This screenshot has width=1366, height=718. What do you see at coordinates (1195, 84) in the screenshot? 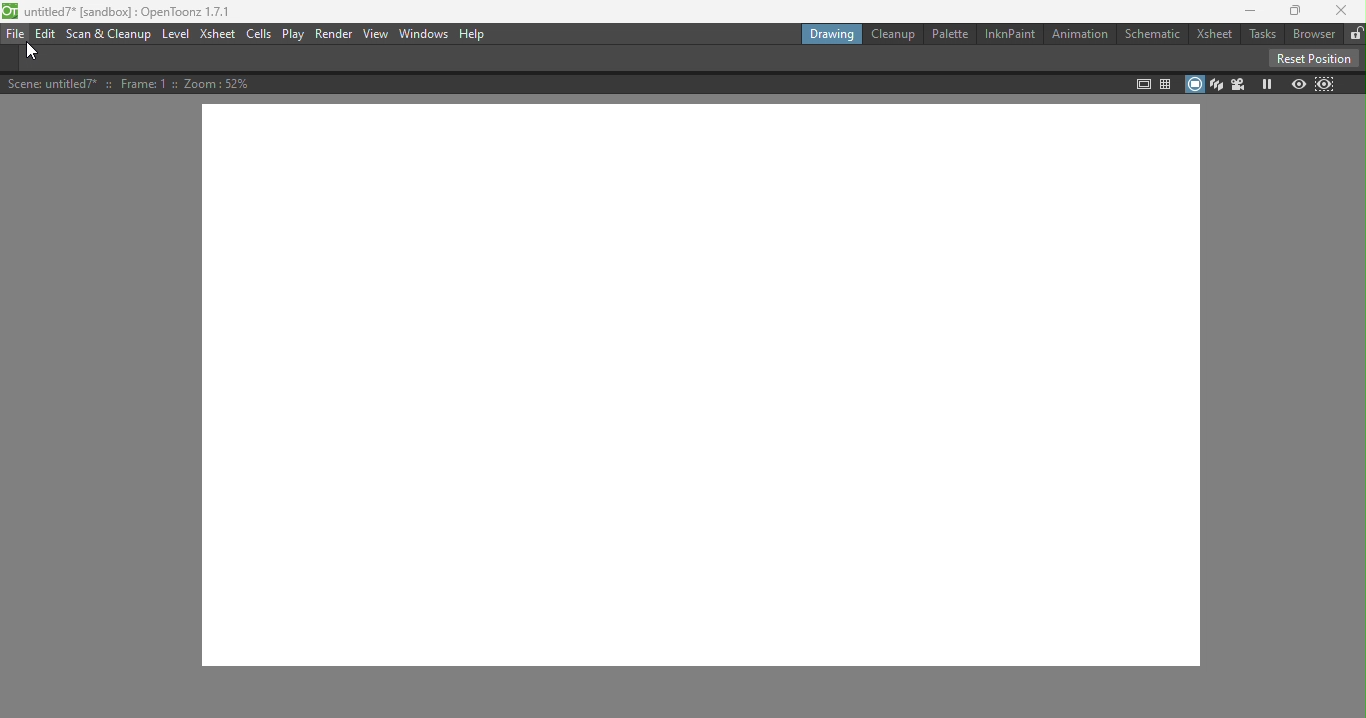
I see `Camera stand view` at bounding box center [1195, 84].